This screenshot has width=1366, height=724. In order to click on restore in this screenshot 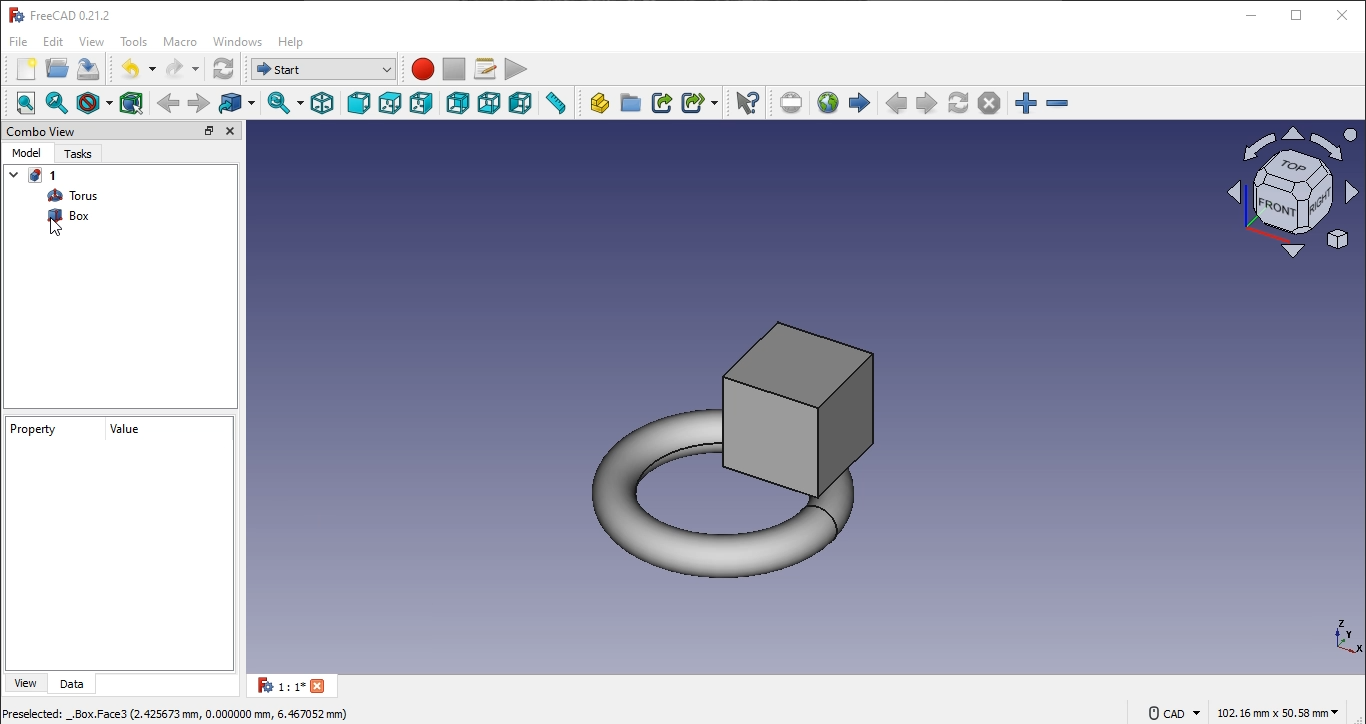, I will do `click(209, 131)`.